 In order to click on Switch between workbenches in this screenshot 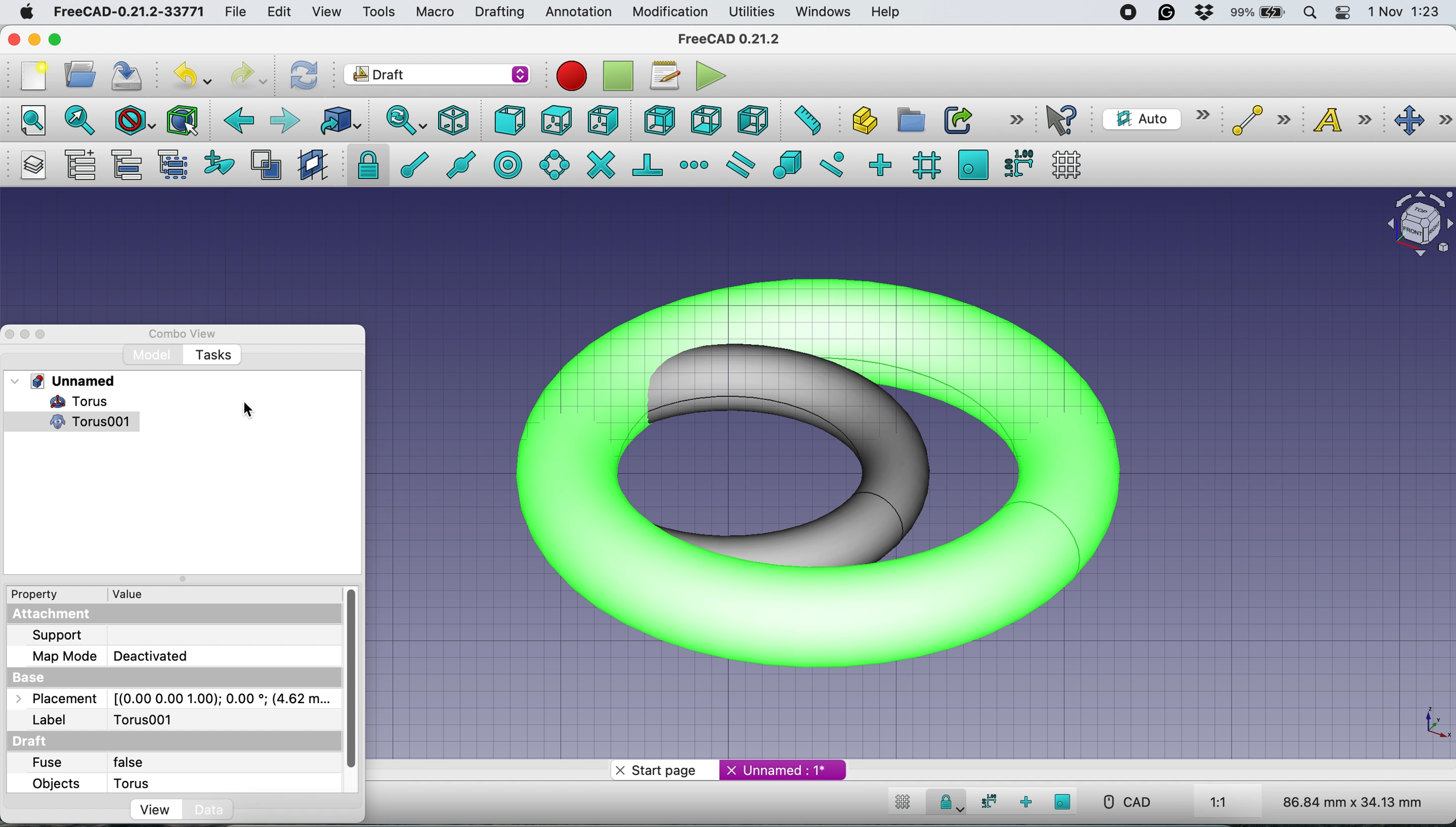, I will do `click(437, 76)`.